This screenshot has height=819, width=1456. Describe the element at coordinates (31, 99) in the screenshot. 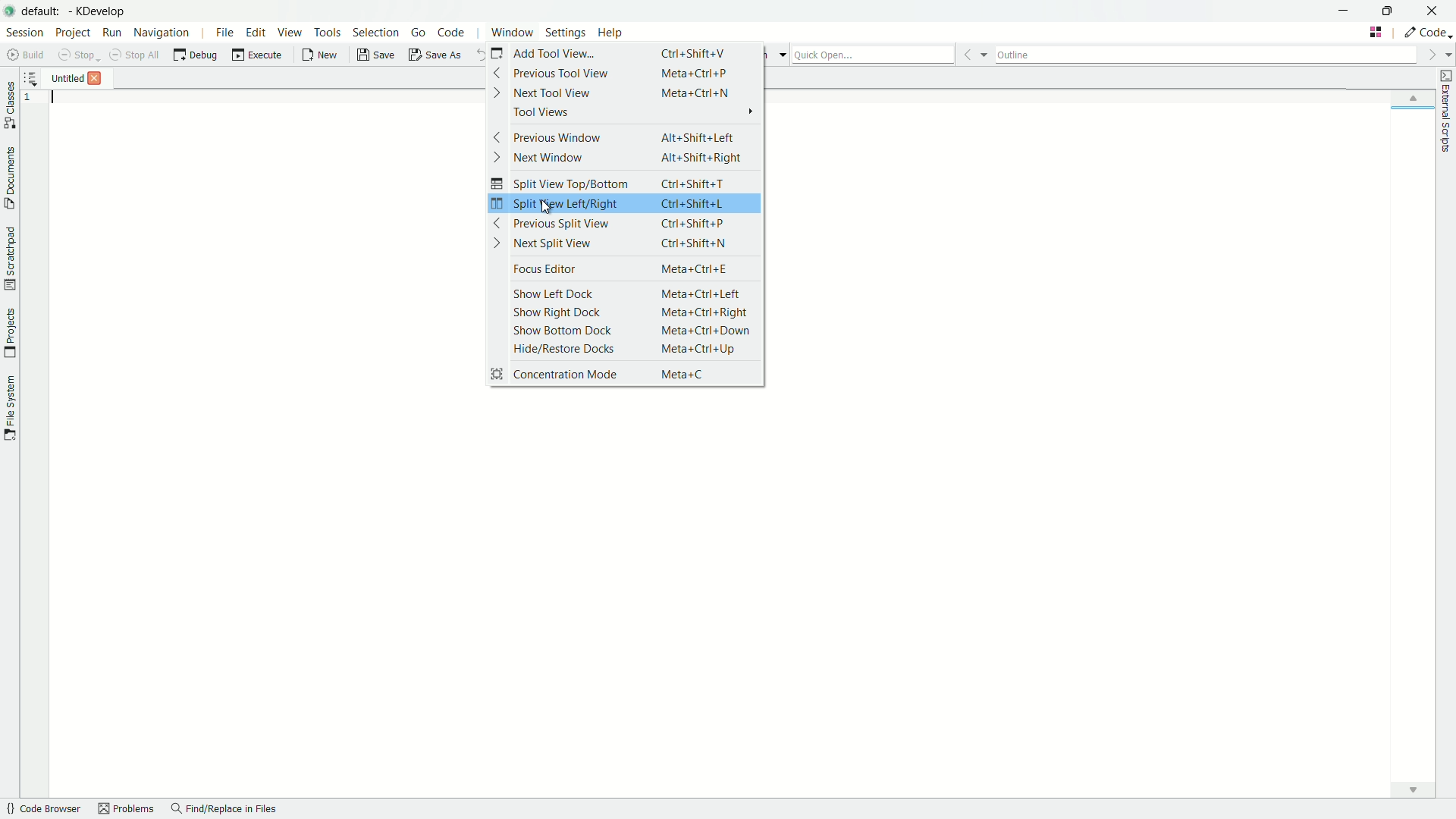

I see `line number` at that location.